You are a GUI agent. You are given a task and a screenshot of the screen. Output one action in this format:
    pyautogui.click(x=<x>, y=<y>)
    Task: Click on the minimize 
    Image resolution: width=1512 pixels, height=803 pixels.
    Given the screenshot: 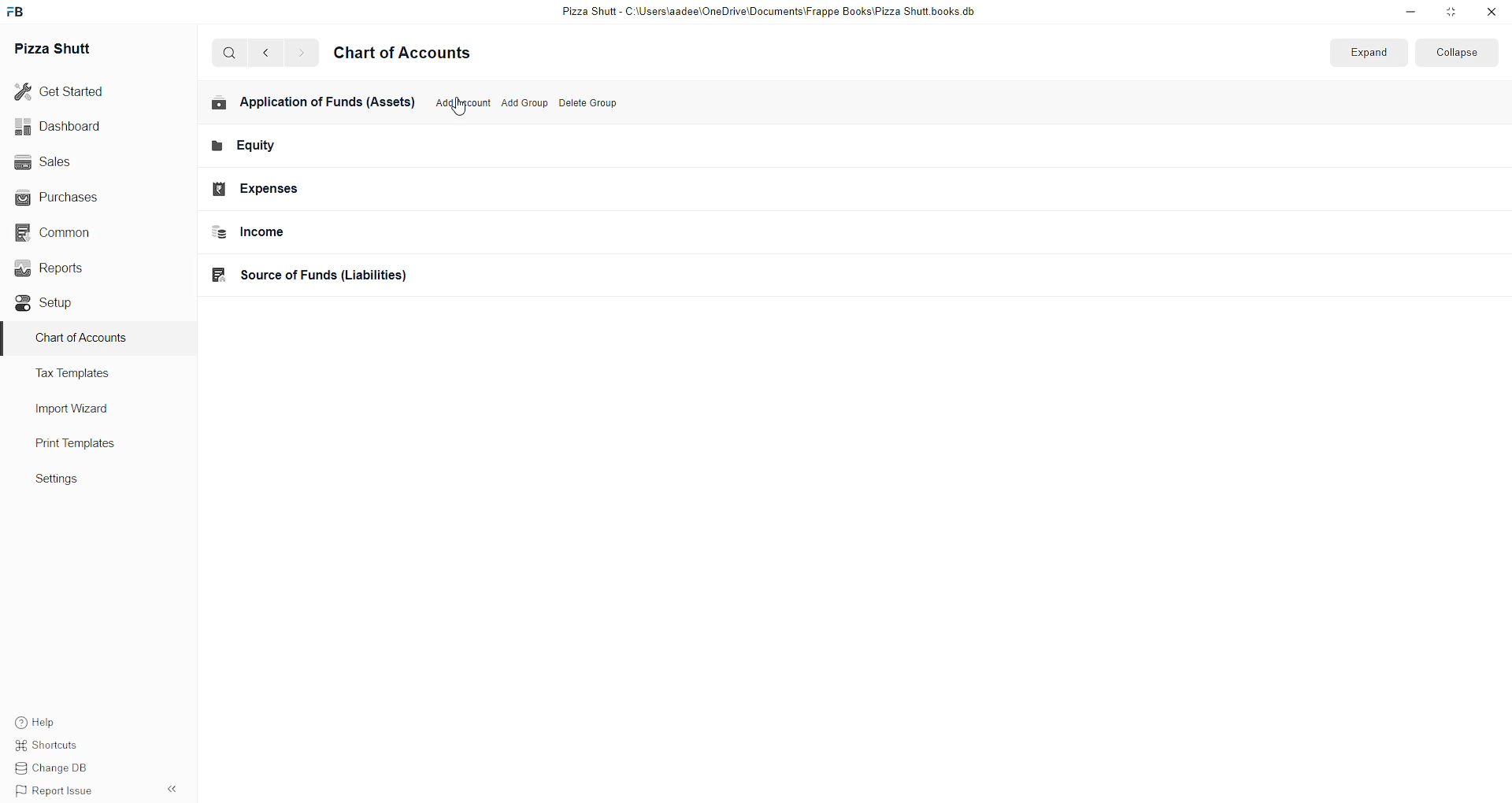 What is the action you would take?
    pyautogui.click(x=1402, y=13)
    